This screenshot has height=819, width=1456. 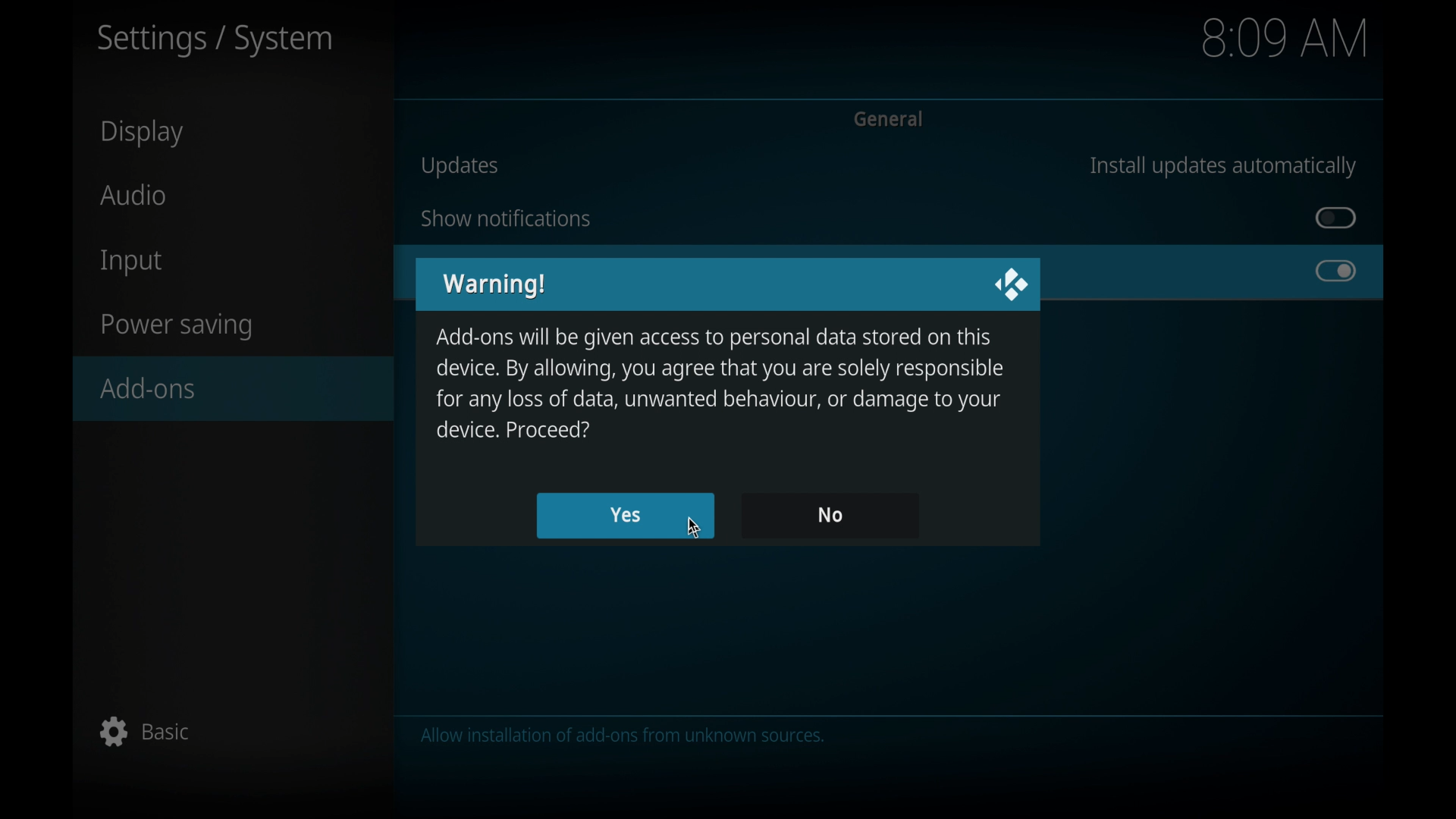 I want to click on toggle button, so click(x=1336, y=218).